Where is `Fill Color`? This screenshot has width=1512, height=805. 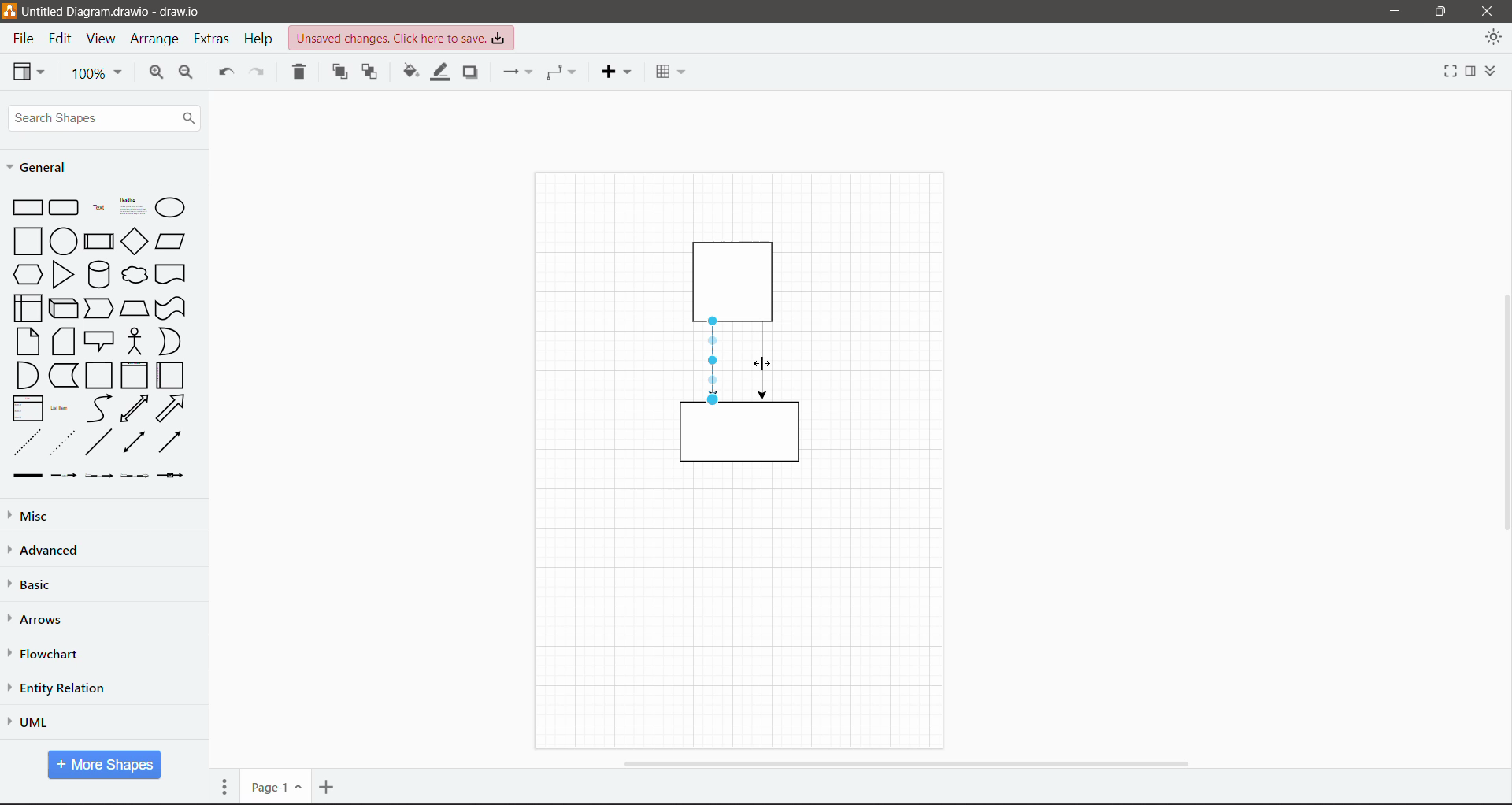 Fill Color is located at coordinates (409, 72).